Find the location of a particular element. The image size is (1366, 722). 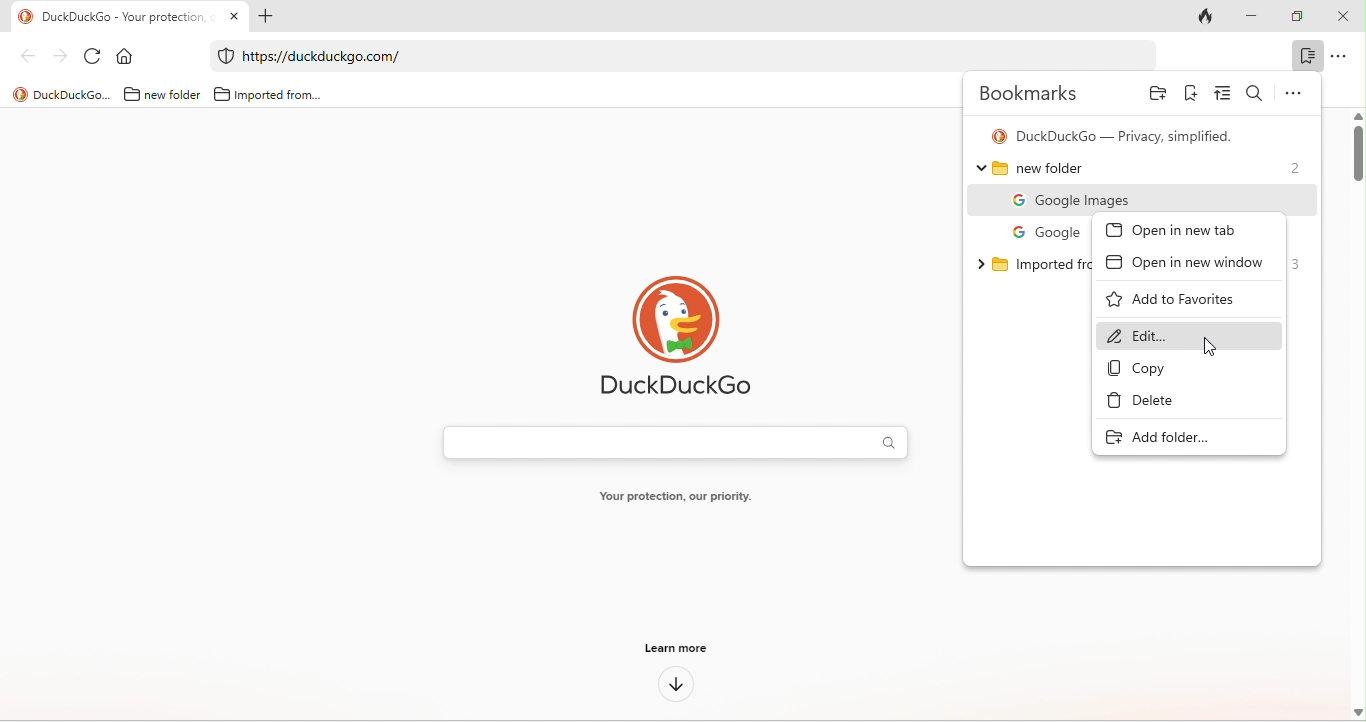

option is located at coordinates (1340, 57).